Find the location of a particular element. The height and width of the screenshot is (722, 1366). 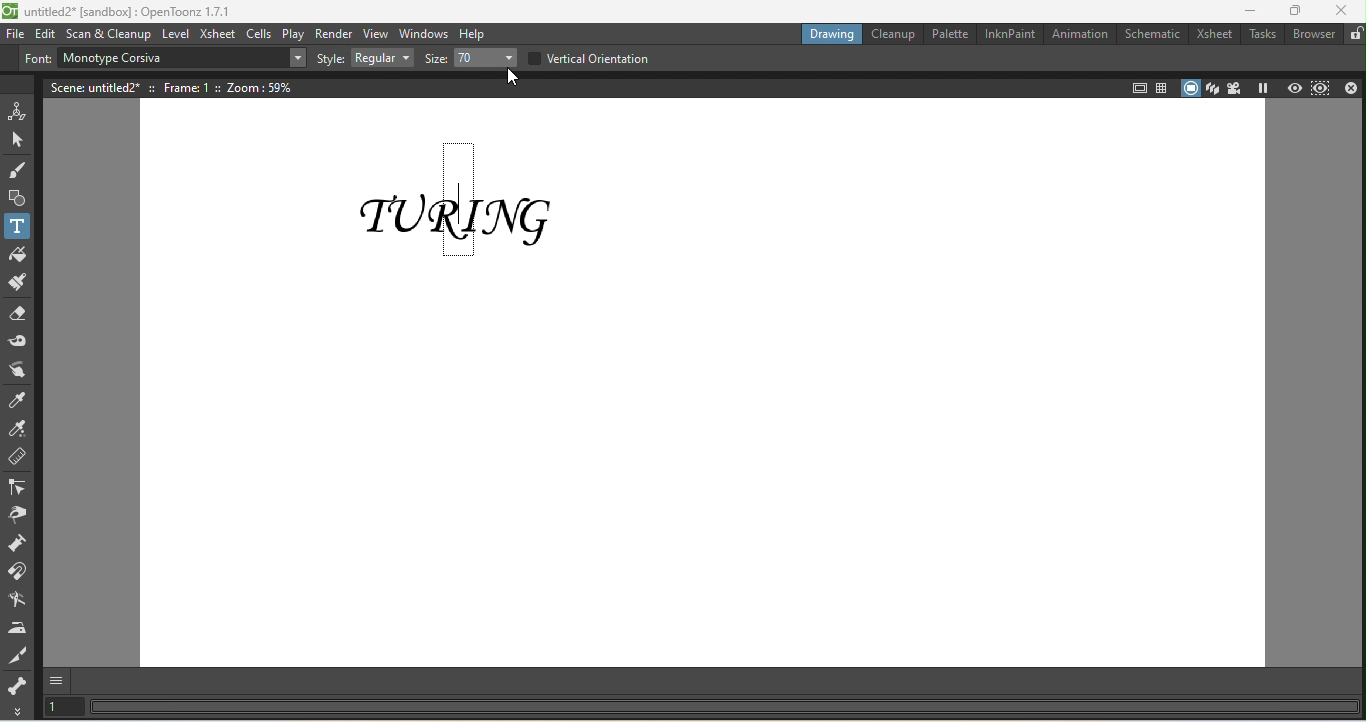

Sub camera preview is located at coordinates (1320, 88).